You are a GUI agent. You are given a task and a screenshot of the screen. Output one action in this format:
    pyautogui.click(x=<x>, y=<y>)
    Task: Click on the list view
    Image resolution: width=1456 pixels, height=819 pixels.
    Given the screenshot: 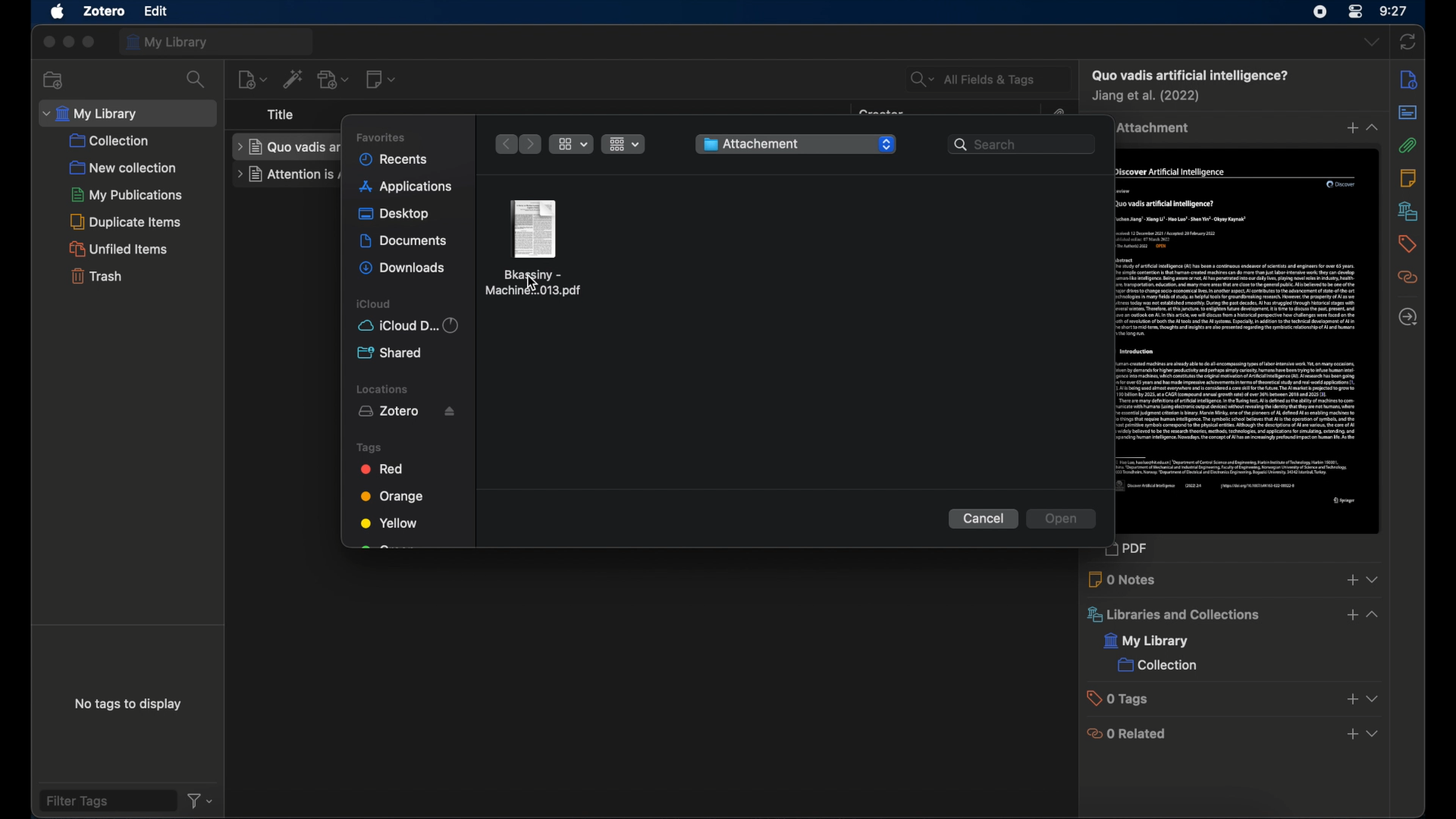 What is the action you would take?
    pyautogui.click(x=623, y=143)
    